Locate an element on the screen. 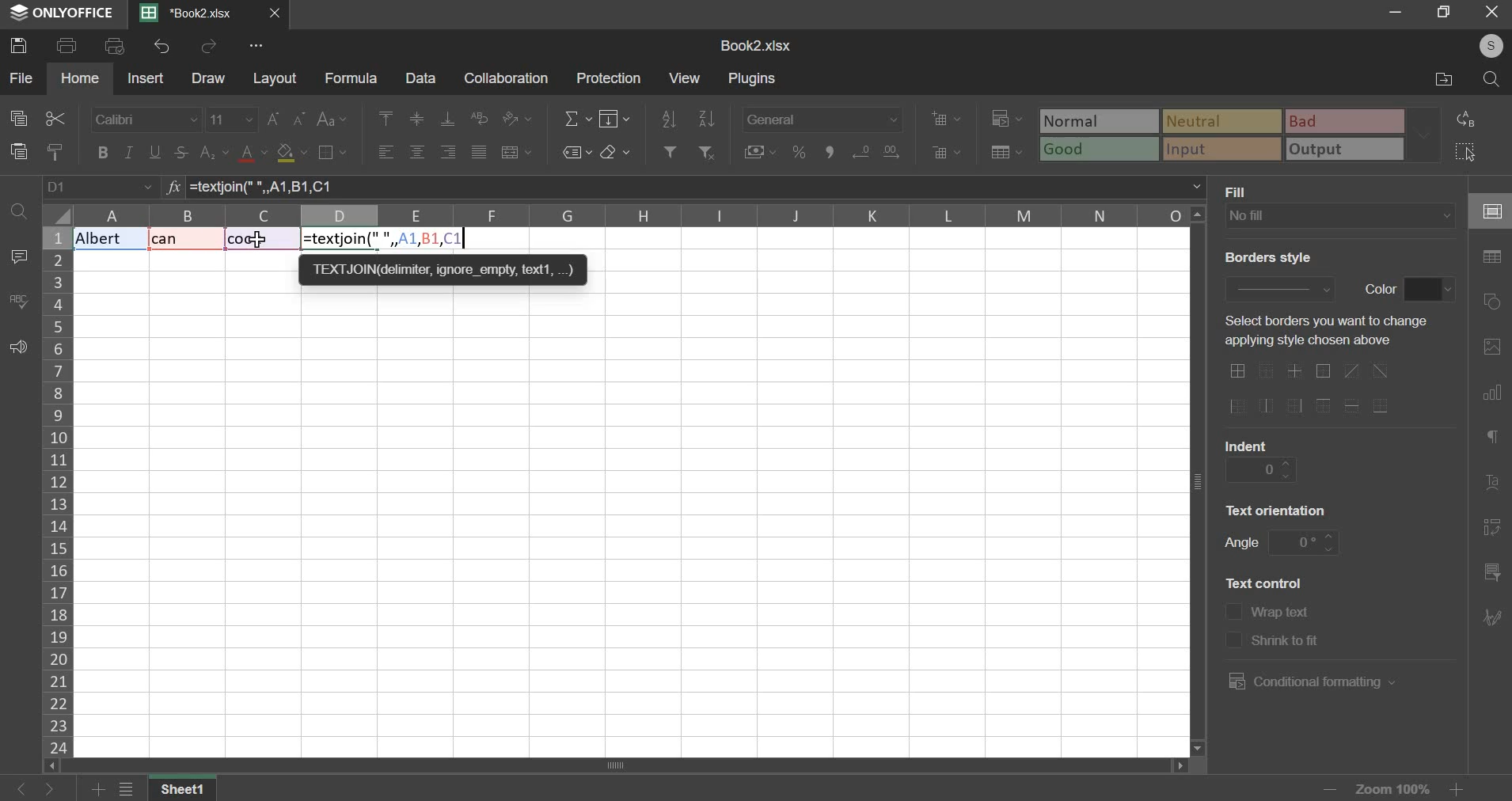 The height and width of the screenshot is (801, 1512). text is located at coordinates (1278, 509).